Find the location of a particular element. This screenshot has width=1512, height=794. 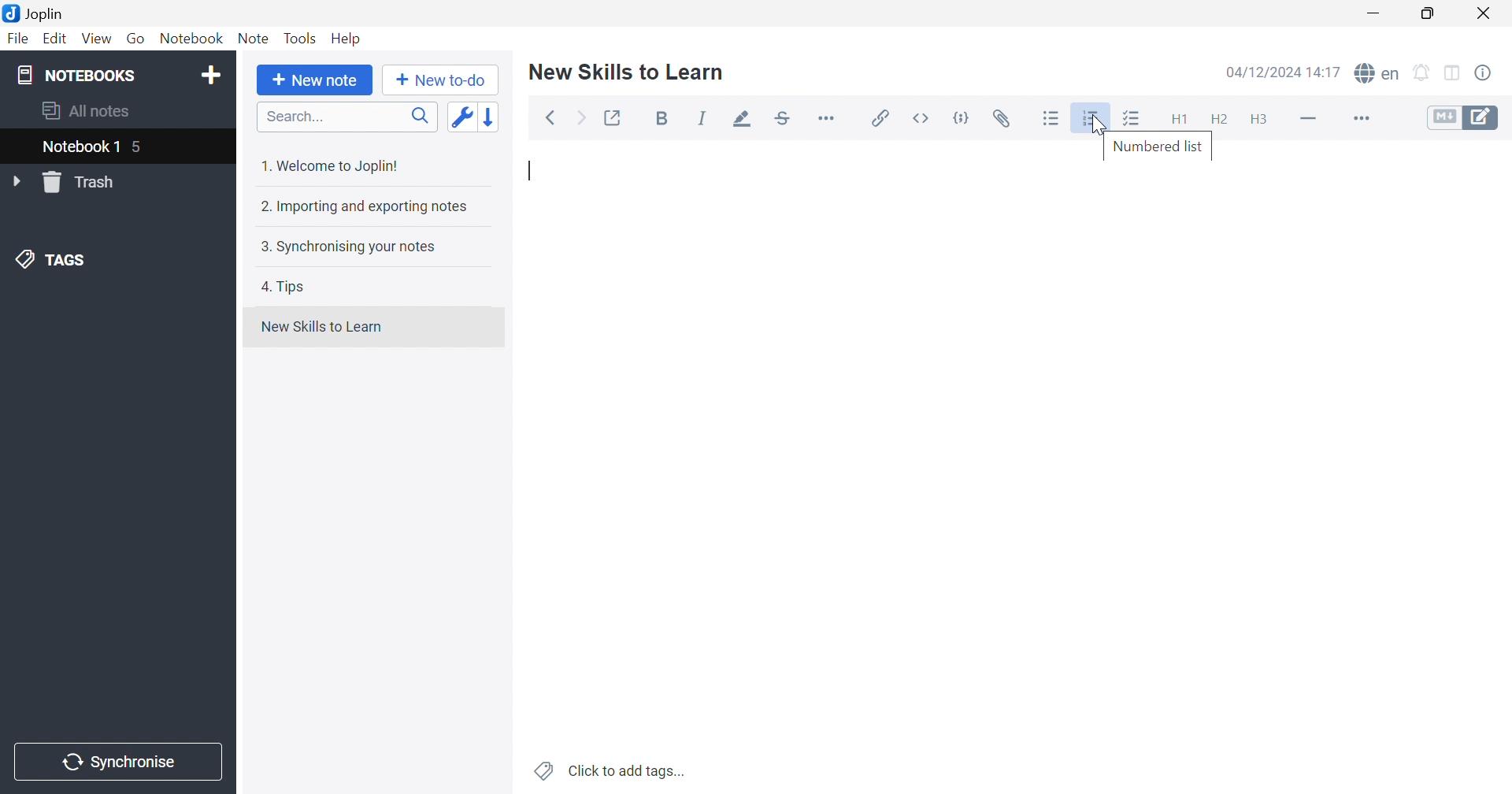

Add notebook is located at coordinates (211, 77).